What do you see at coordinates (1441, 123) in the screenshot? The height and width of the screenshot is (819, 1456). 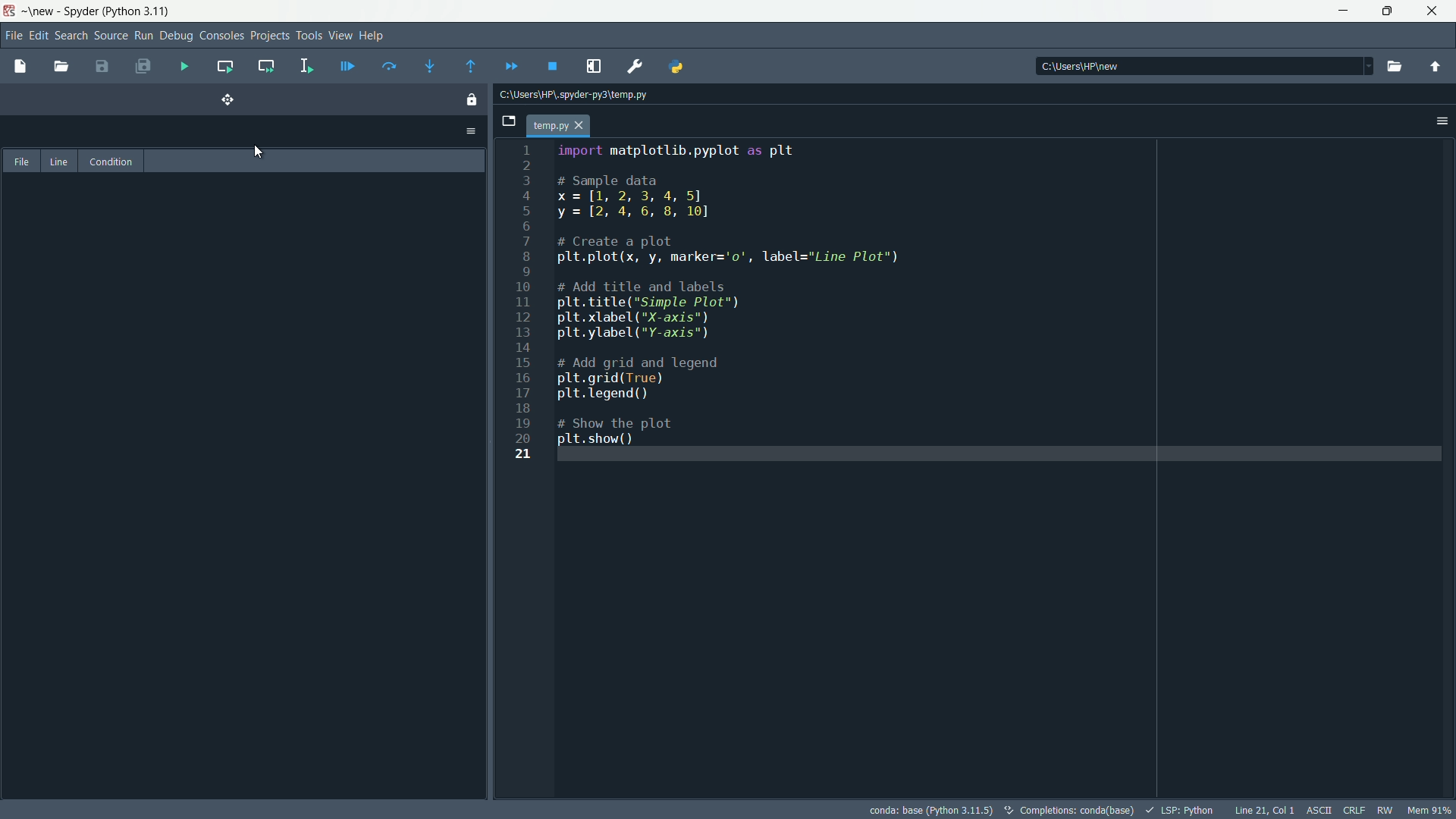 I see `sidebar menu` at bounding box center [1441, 123].